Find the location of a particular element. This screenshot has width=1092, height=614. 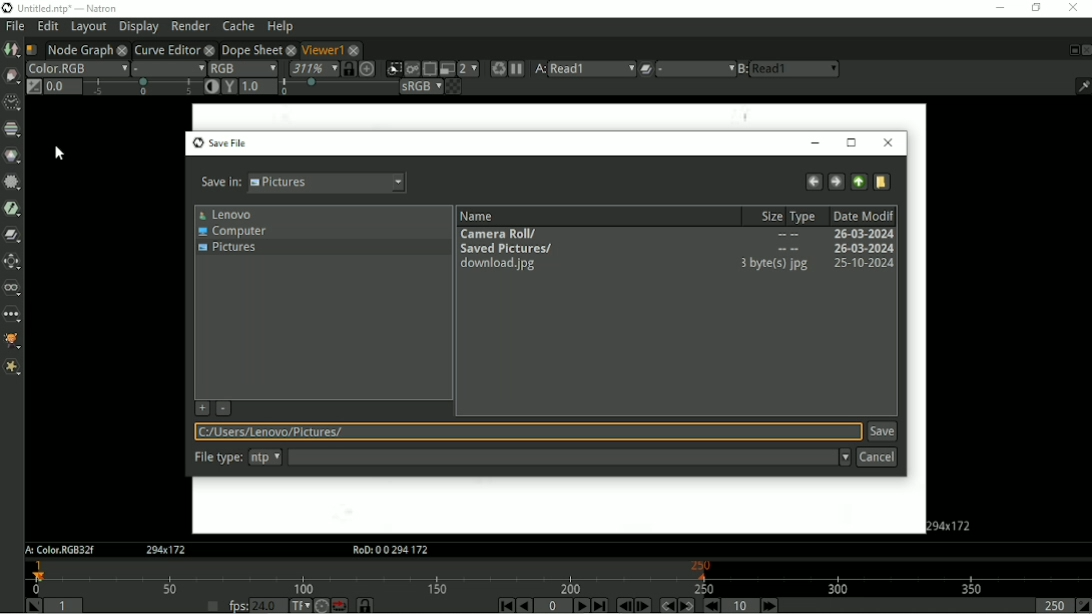

Viewer1 is located at coordinates (321, 48).